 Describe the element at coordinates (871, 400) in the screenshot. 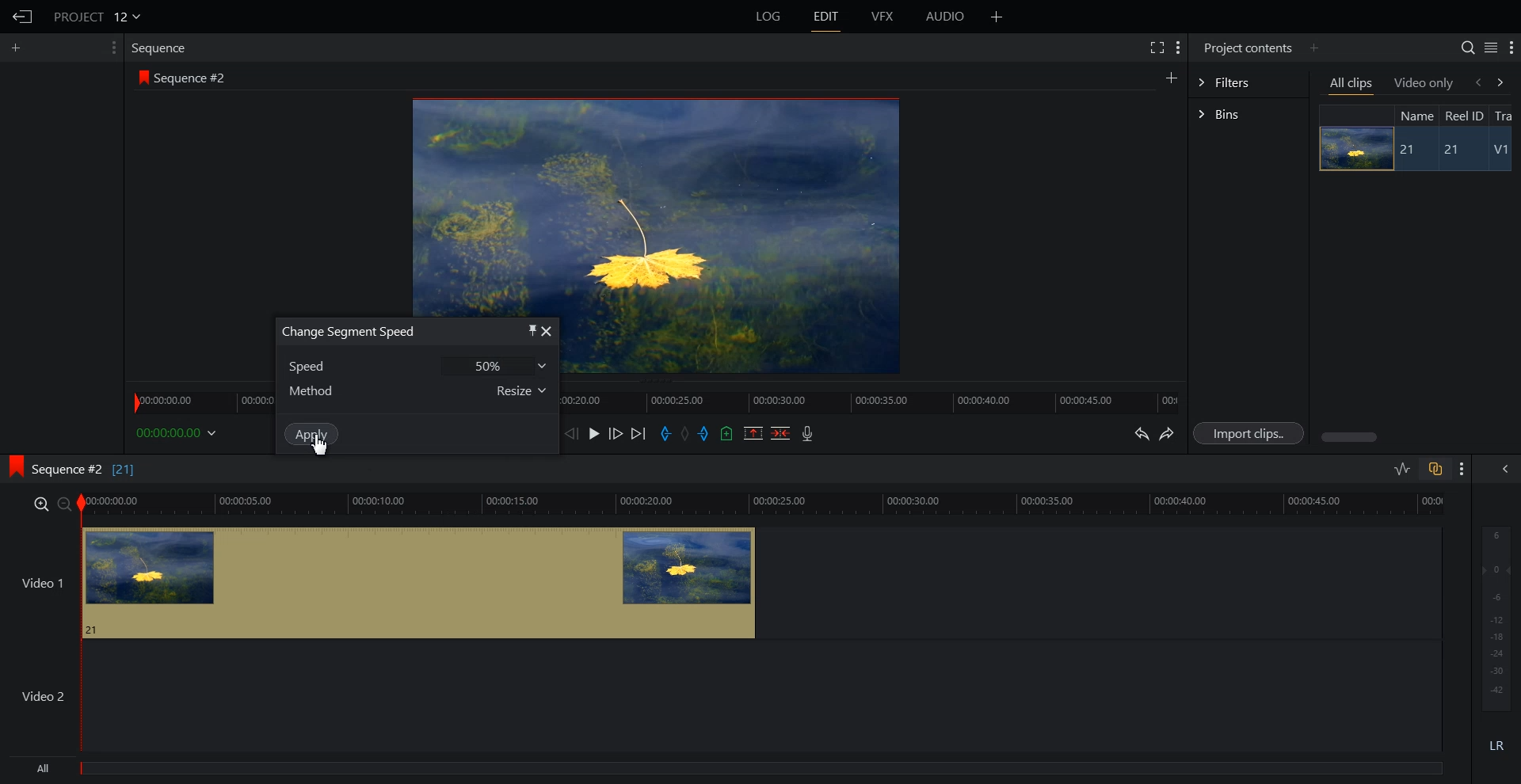

I see `timeline` at that location.